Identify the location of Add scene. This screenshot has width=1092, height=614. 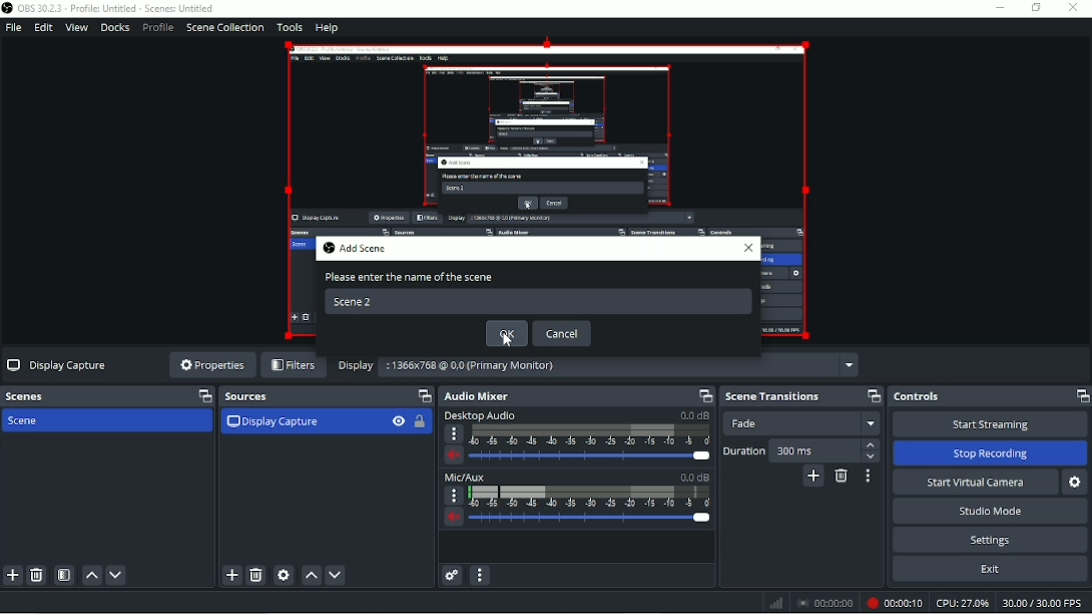
(354, 248).